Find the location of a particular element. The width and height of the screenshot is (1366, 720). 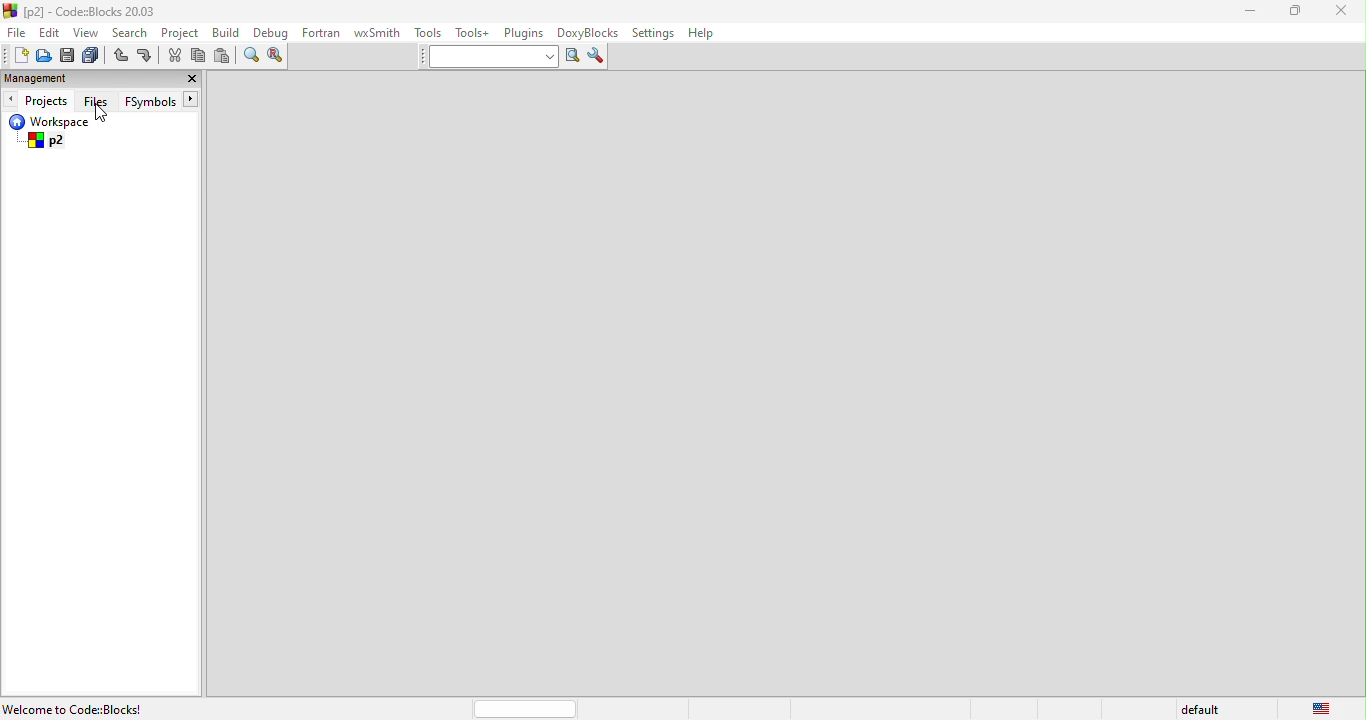

settings is located at coordinates (653, 34).